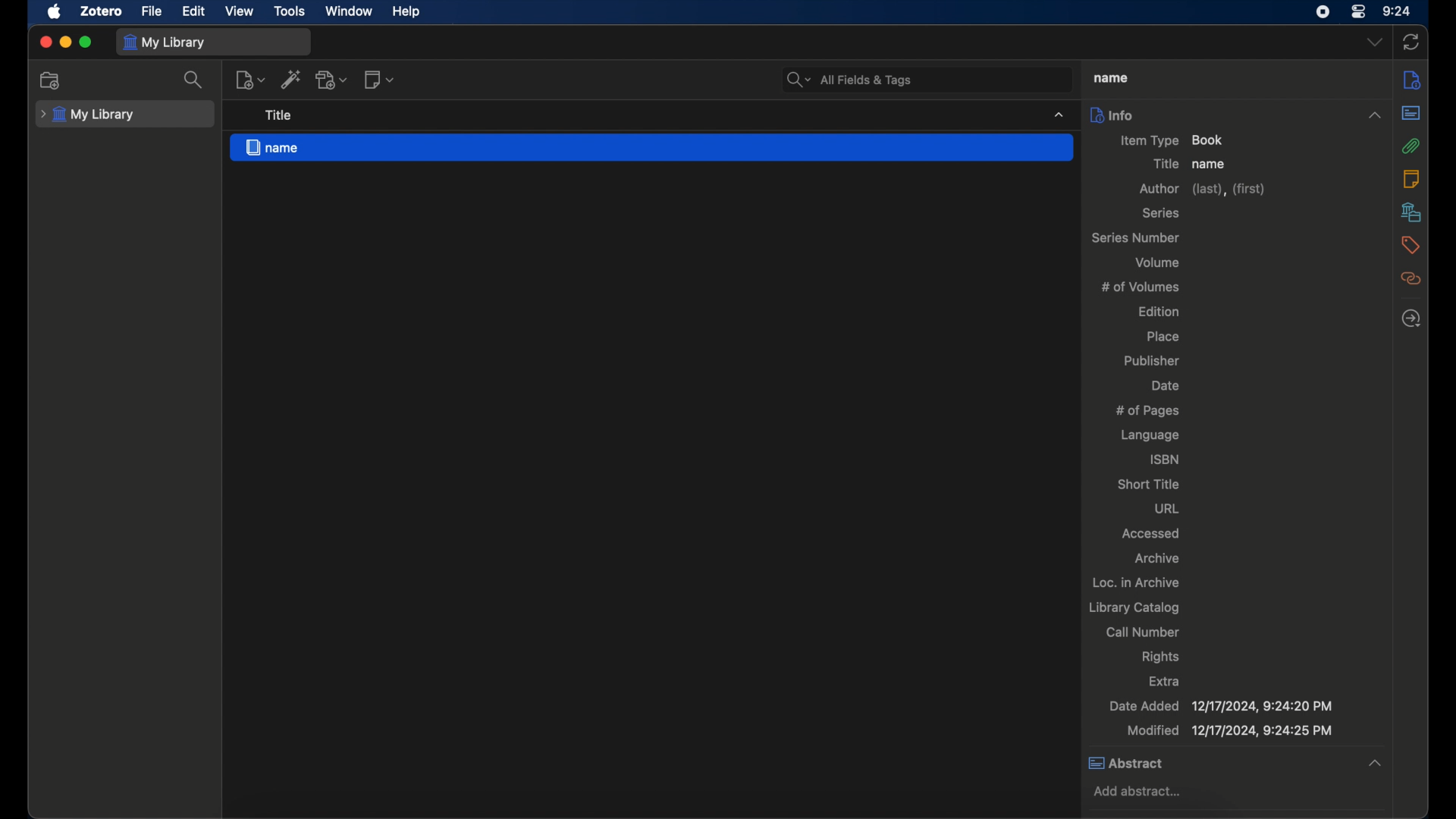  I want to click on window, so click(351, 11).